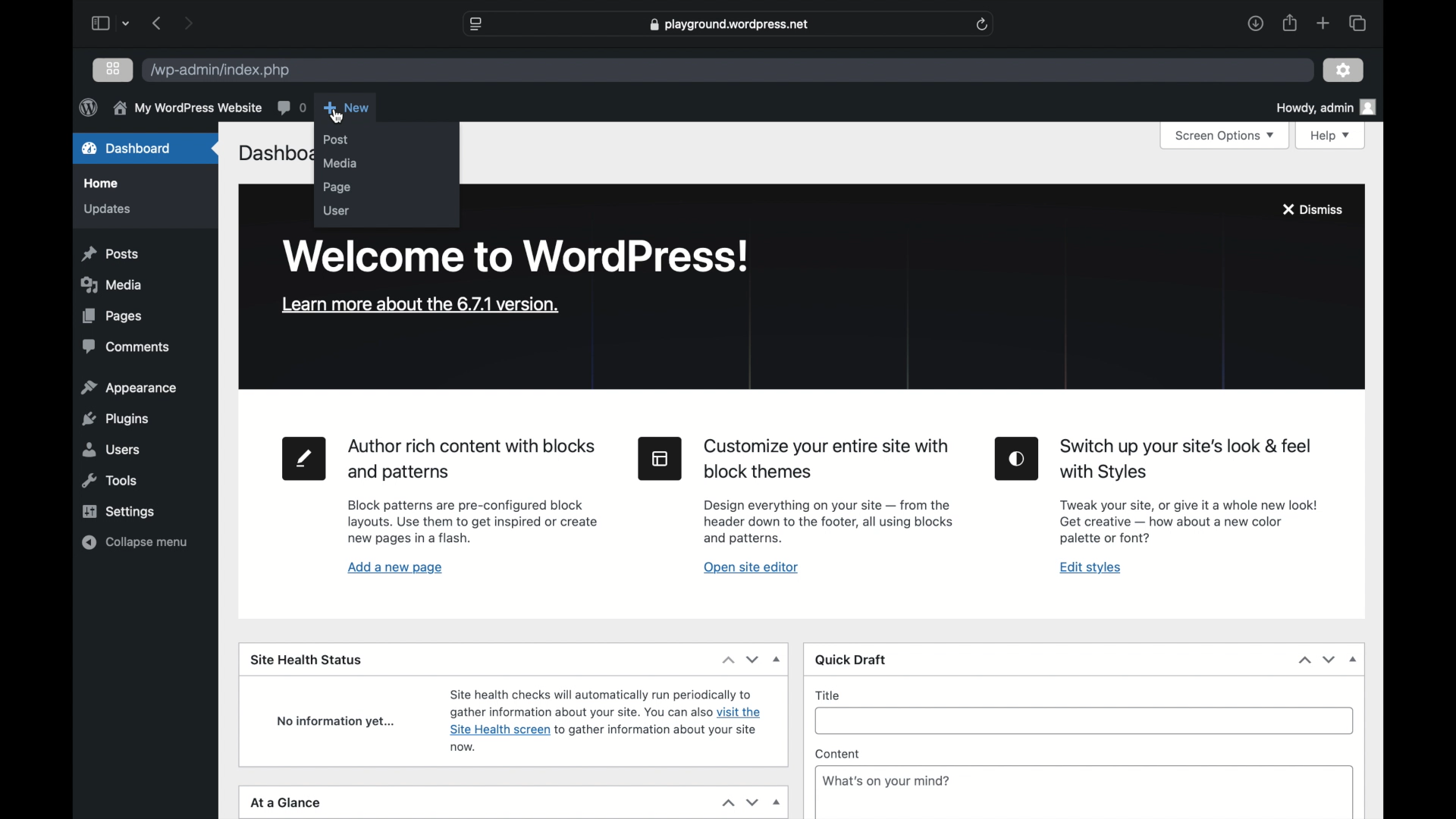  Describe the element at coordinates (127, 24) in the screenshot. I see `dropdown` at that location.